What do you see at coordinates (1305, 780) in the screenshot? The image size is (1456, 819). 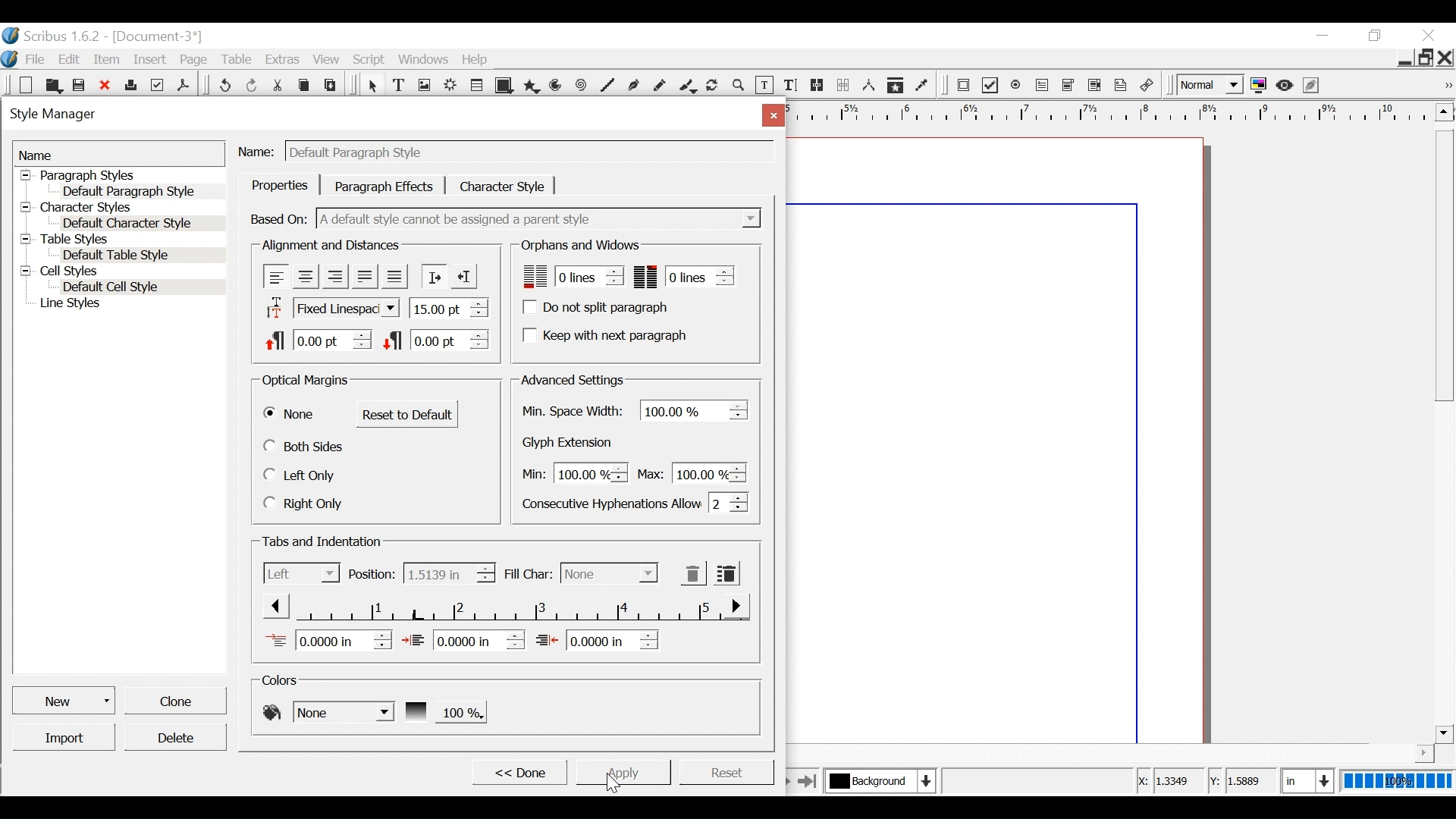 I see `Select the current unit` at bounding box center [1305, 780].